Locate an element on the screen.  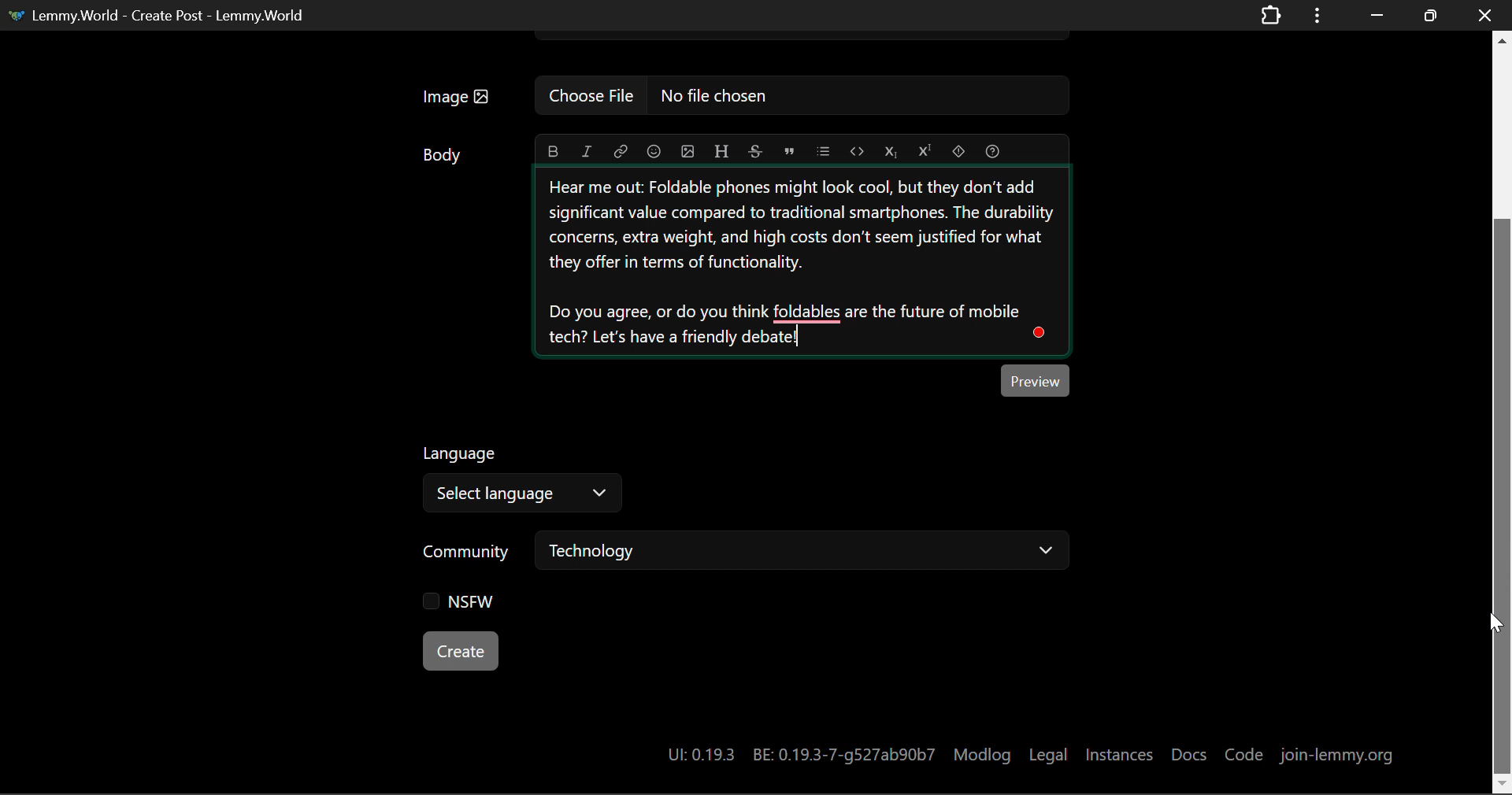
Docs is located at coordinates (1189, 751).